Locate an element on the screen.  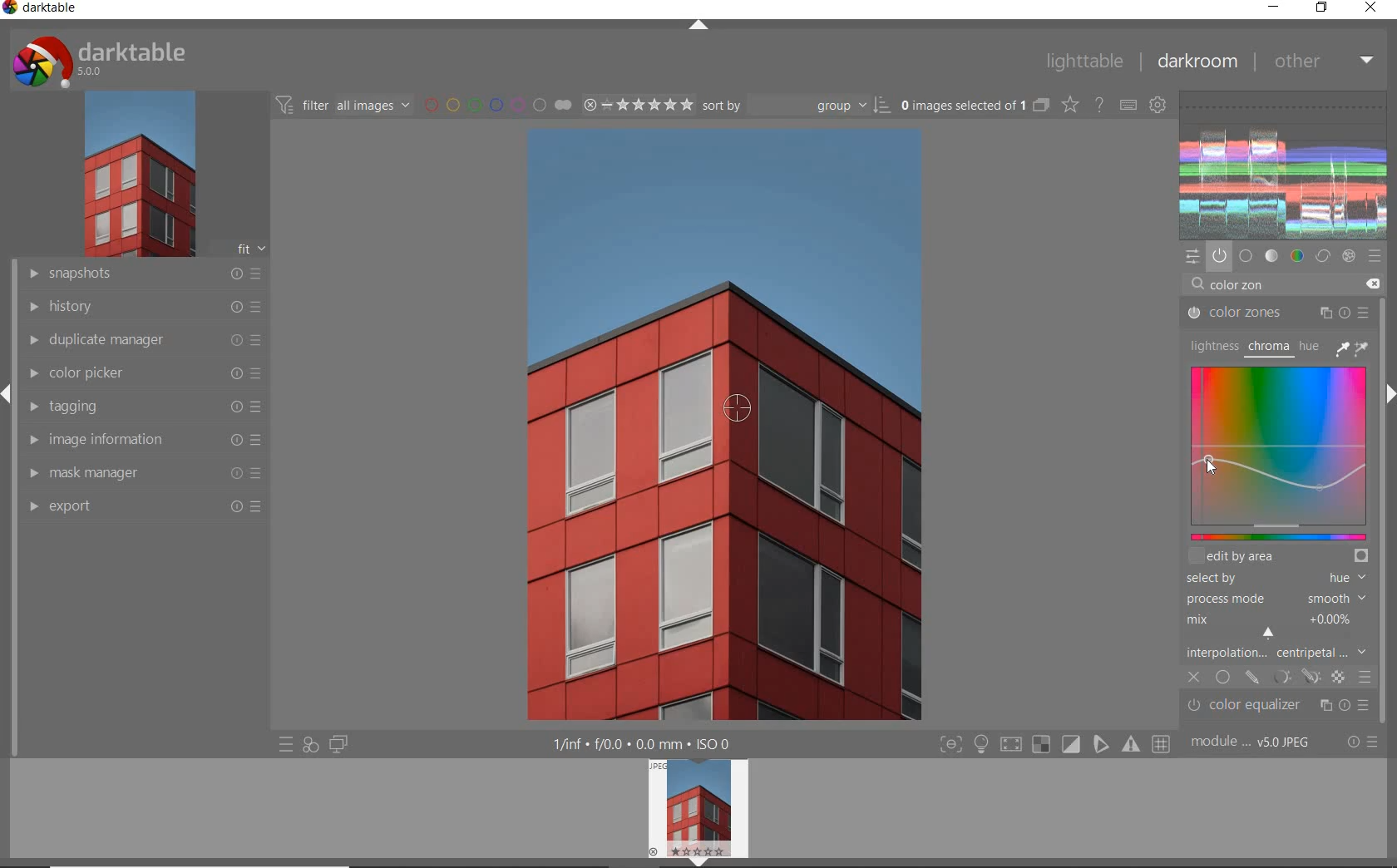
base is located at coordinates (1246, 254).